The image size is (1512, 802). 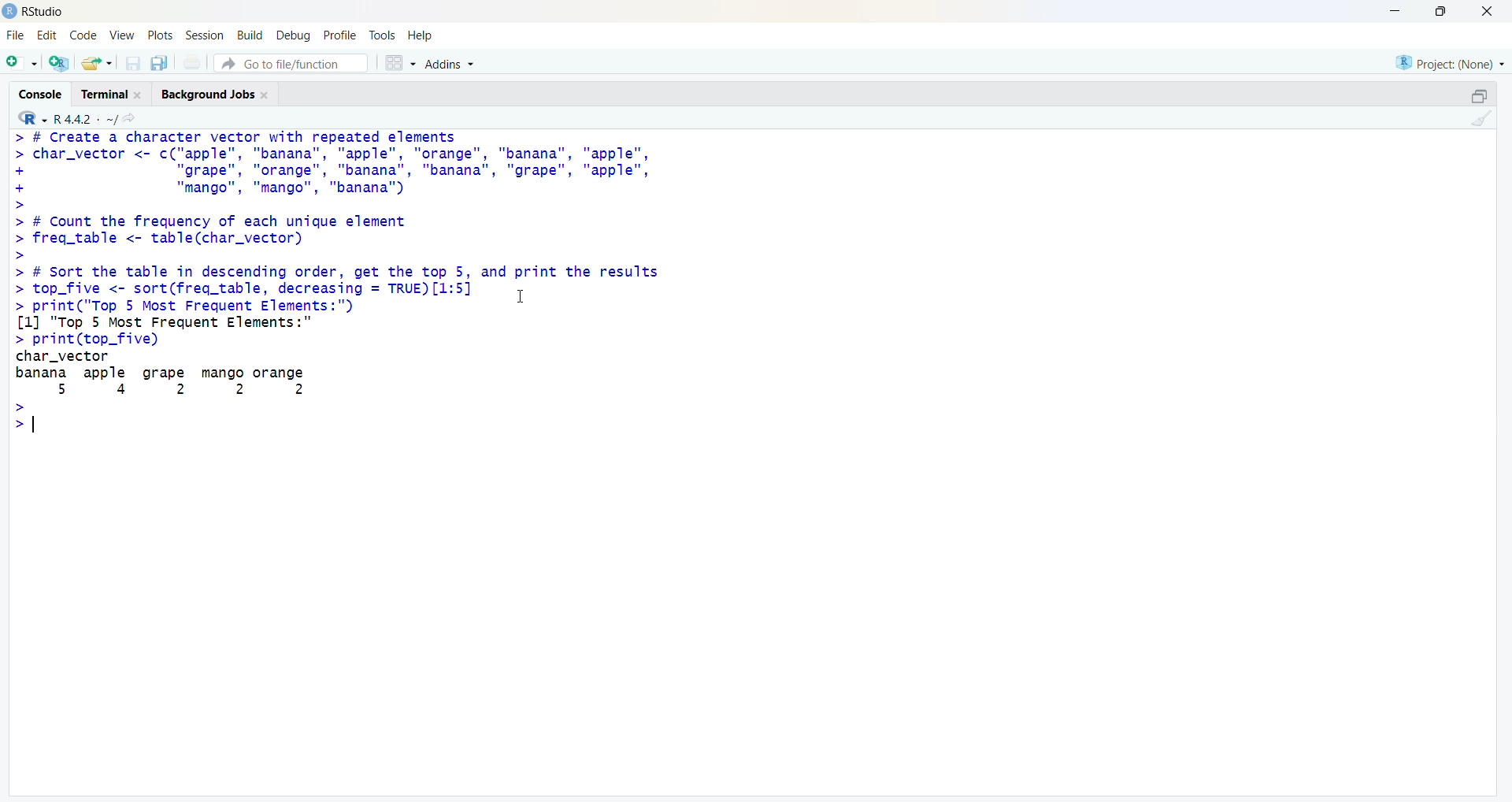 What do you see at coordinates (1446, 60) in the screenshot?
I see `Project (None)` at bounding box center [1446, 60].